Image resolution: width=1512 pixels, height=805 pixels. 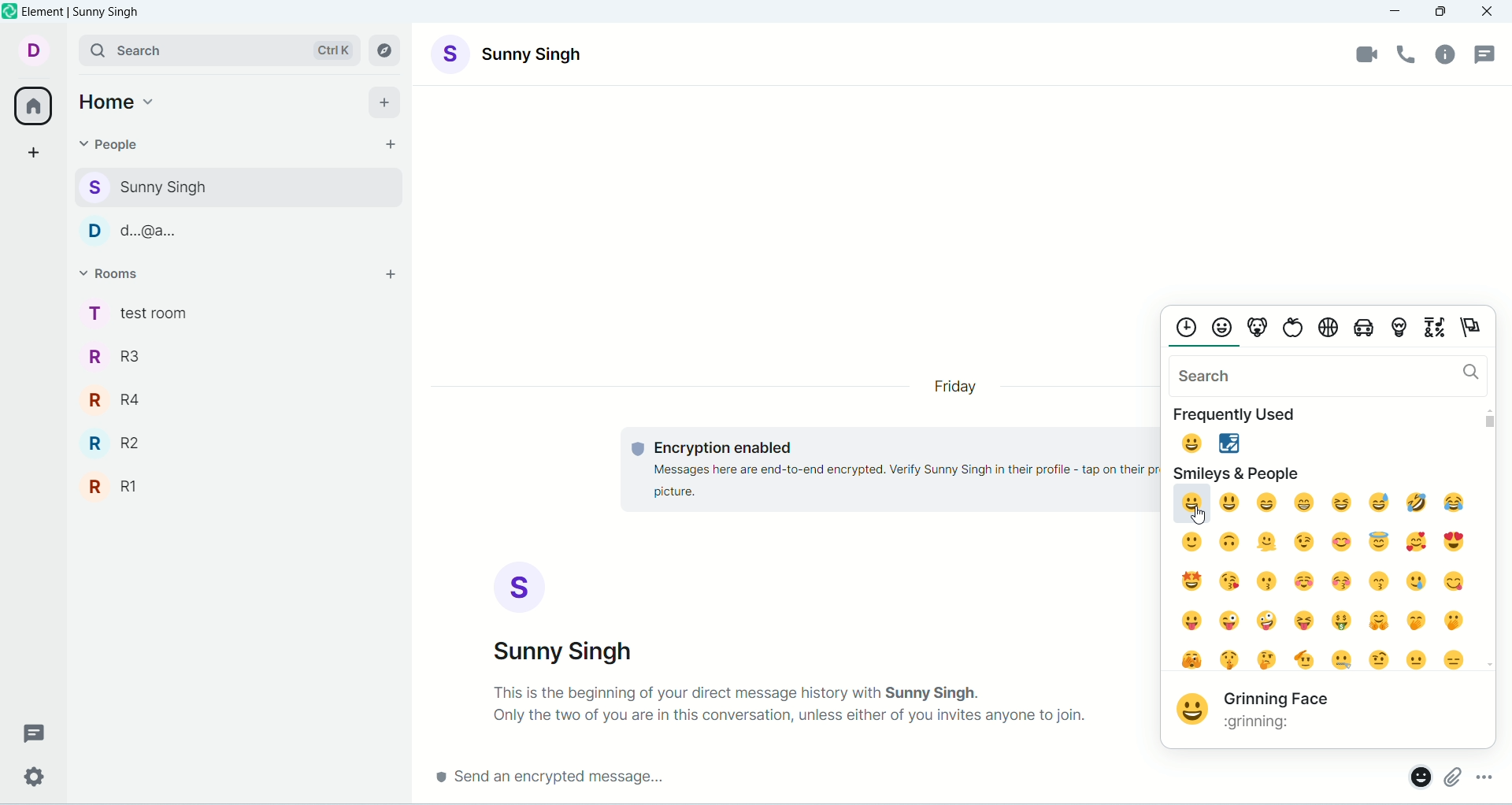 What do you see at coordinates (31, 779) in the screenshot?
I see `settings` at bounding box center [31, 779].